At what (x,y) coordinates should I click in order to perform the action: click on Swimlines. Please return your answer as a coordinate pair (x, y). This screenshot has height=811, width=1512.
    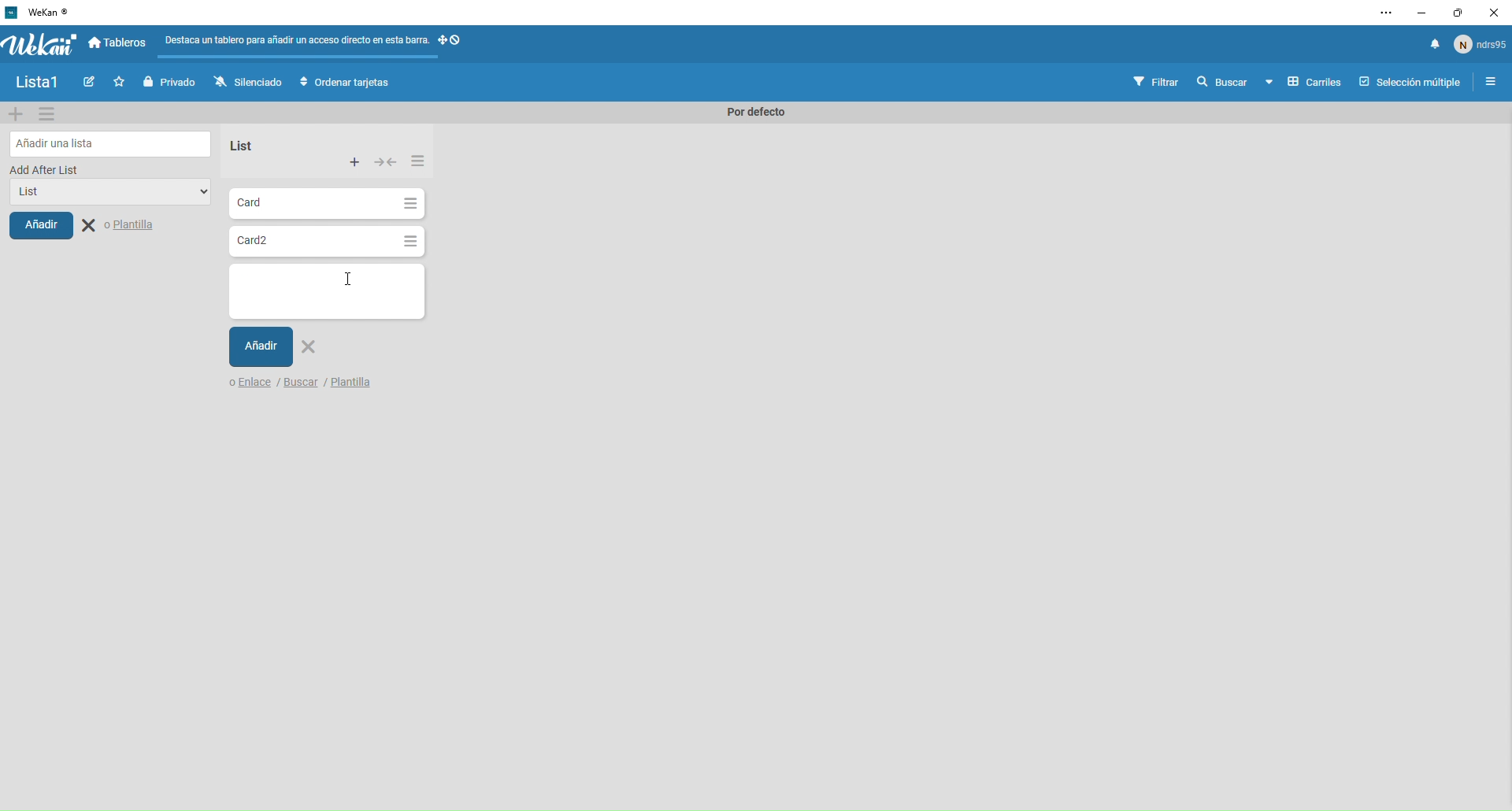
    Looking at the image, I should click on (1303, 83).